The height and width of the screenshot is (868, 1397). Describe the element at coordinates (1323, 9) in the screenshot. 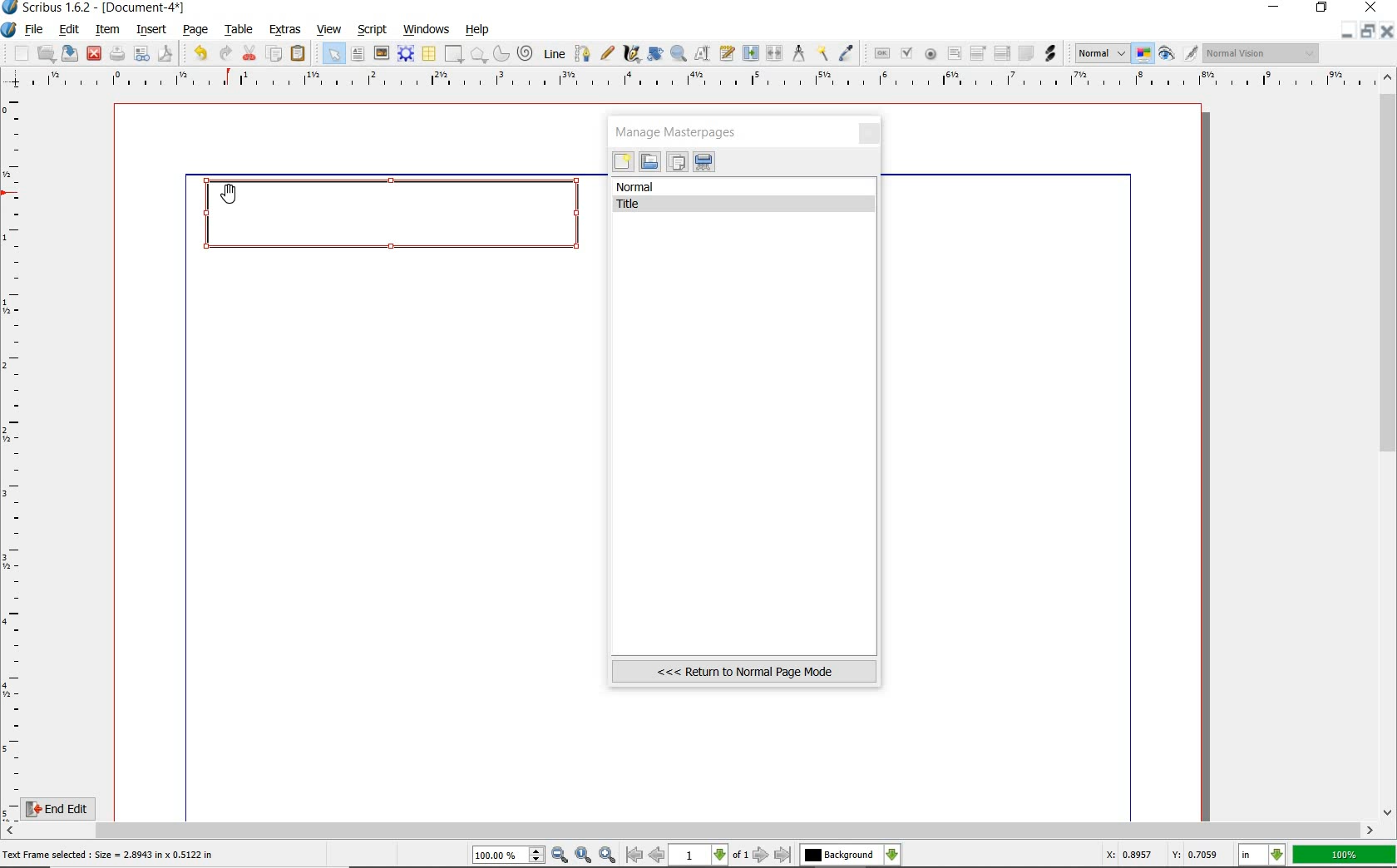

I see `restore` at that location.